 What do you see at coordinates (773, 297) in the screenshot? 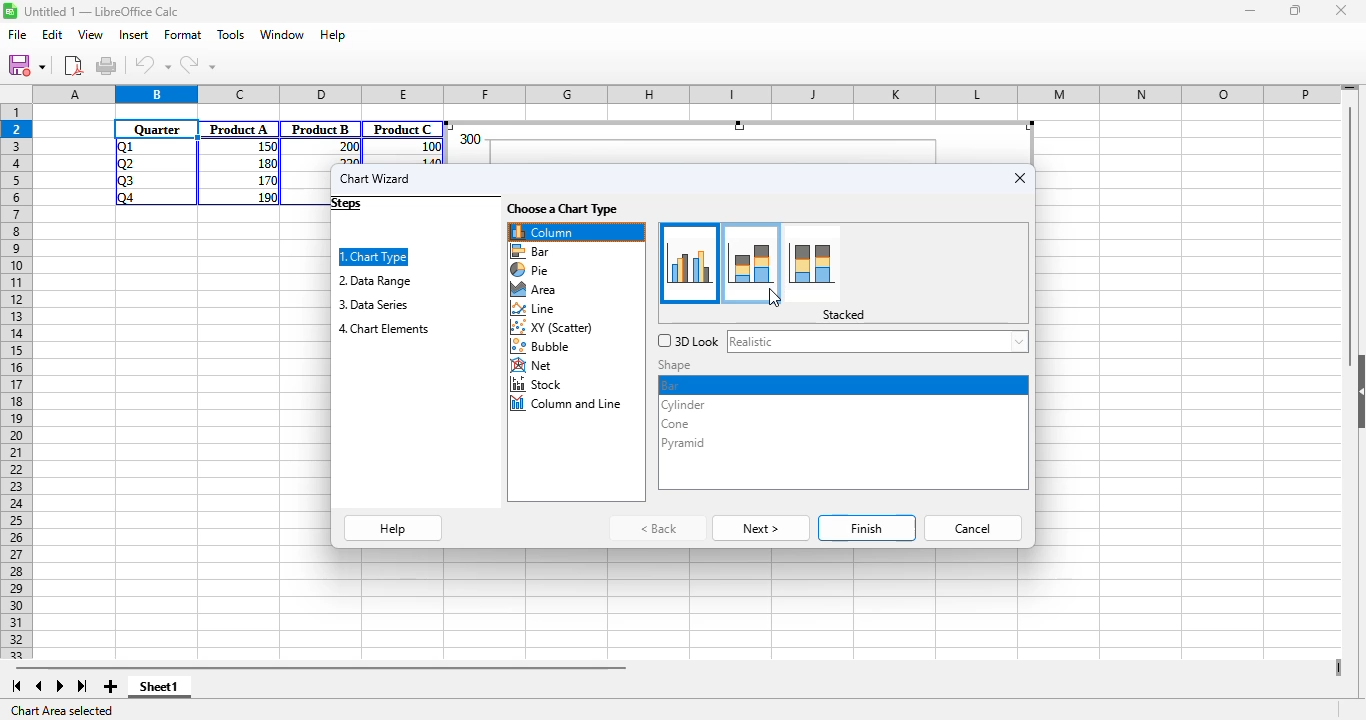
I see `cursor` at bounding box center [773, 297].